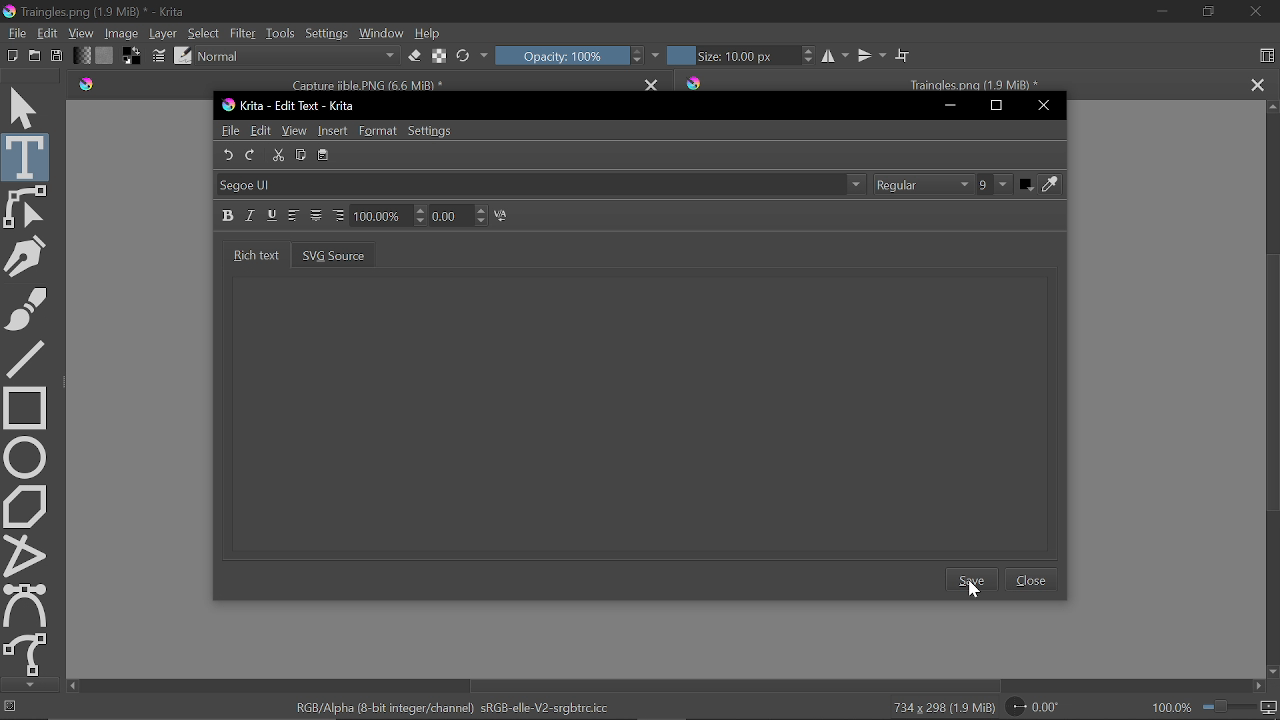 The height and width of the screenshot is (720, 1280). What do you see at coordinates (558, 56) in the screenshot?
I see `Opacity: 100%` at bounding box center [558, 56].